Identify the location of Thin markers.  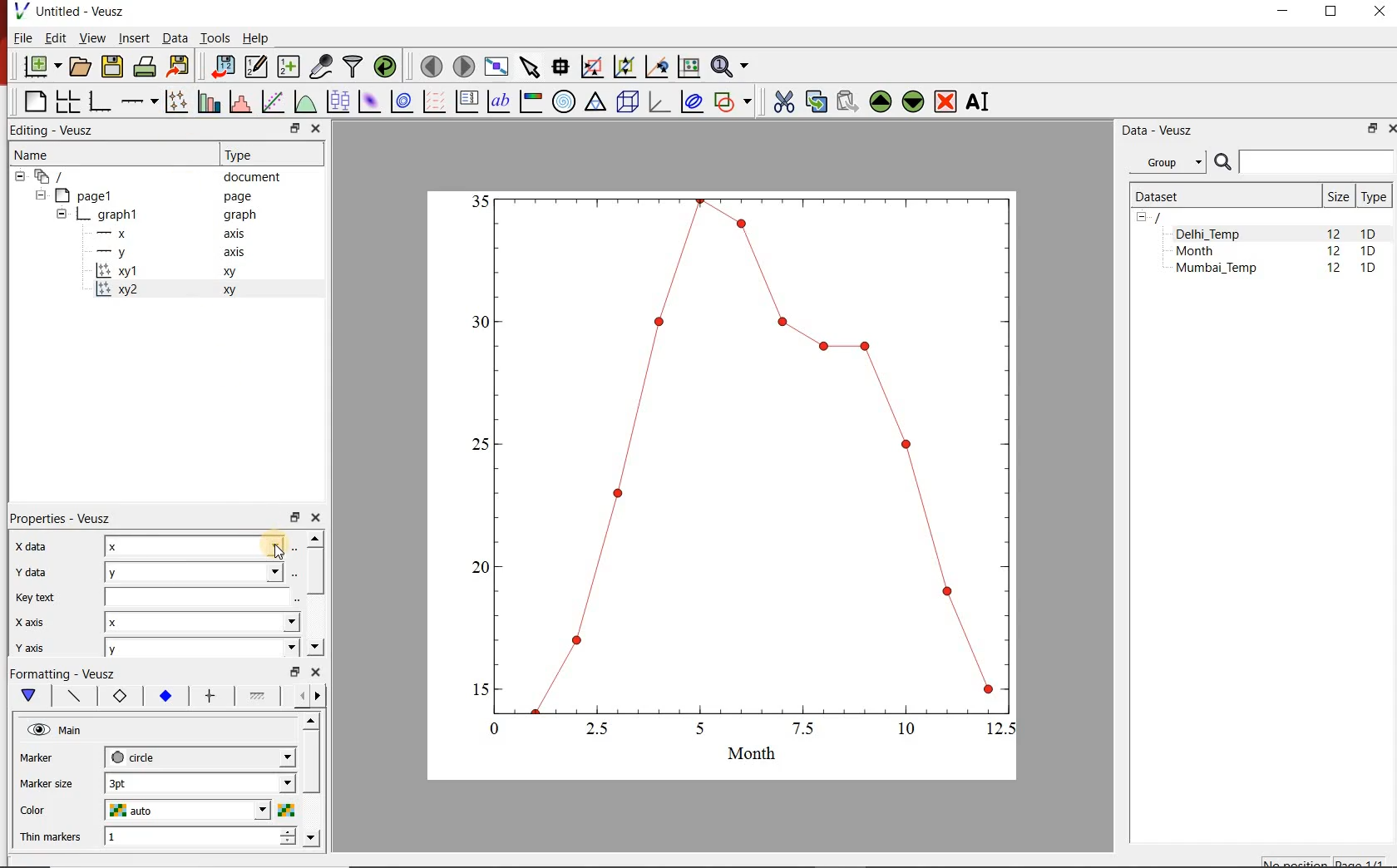
(49, 838).